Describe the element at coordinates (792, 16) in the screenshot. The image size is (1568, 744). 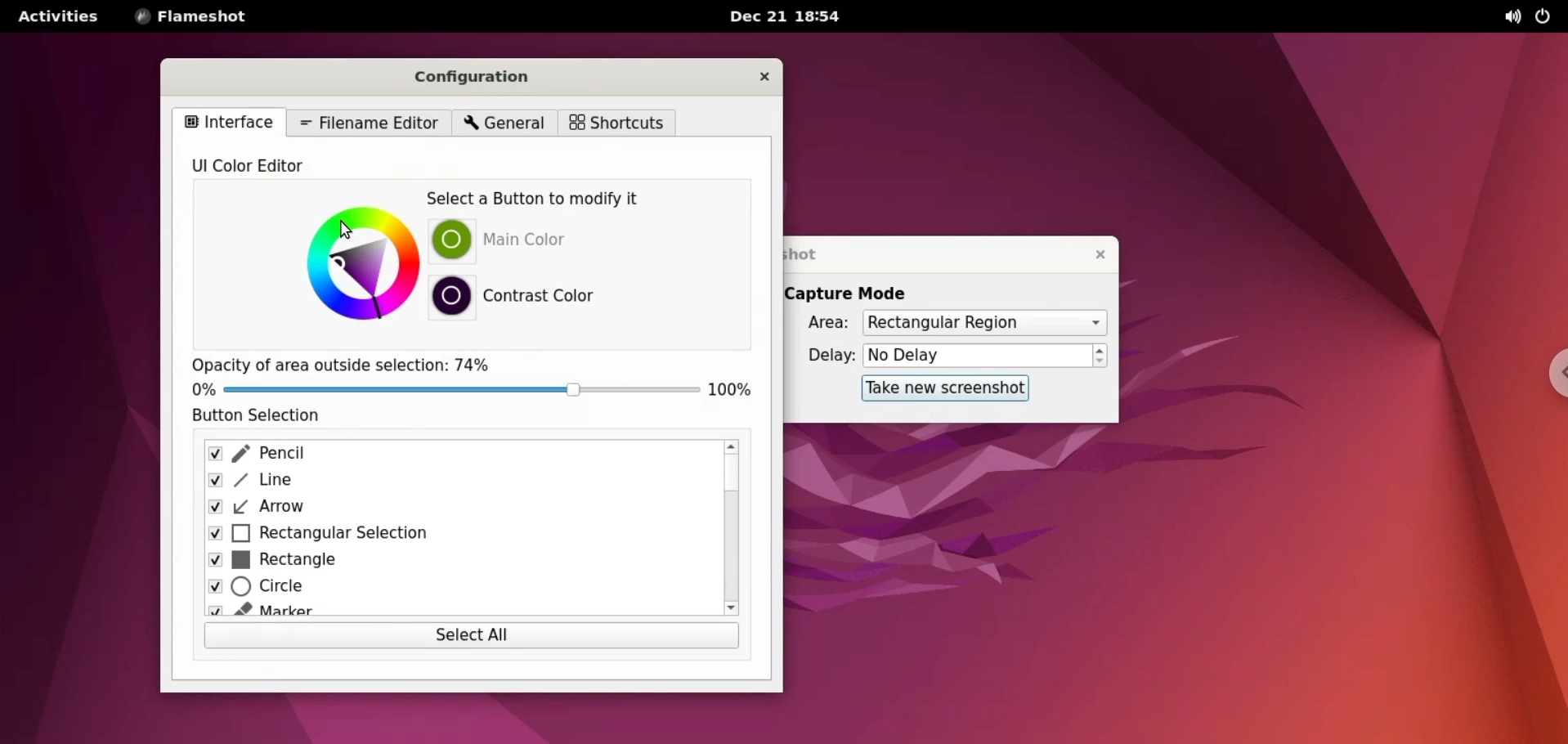
I see `Dec 21 18:54` at that location.